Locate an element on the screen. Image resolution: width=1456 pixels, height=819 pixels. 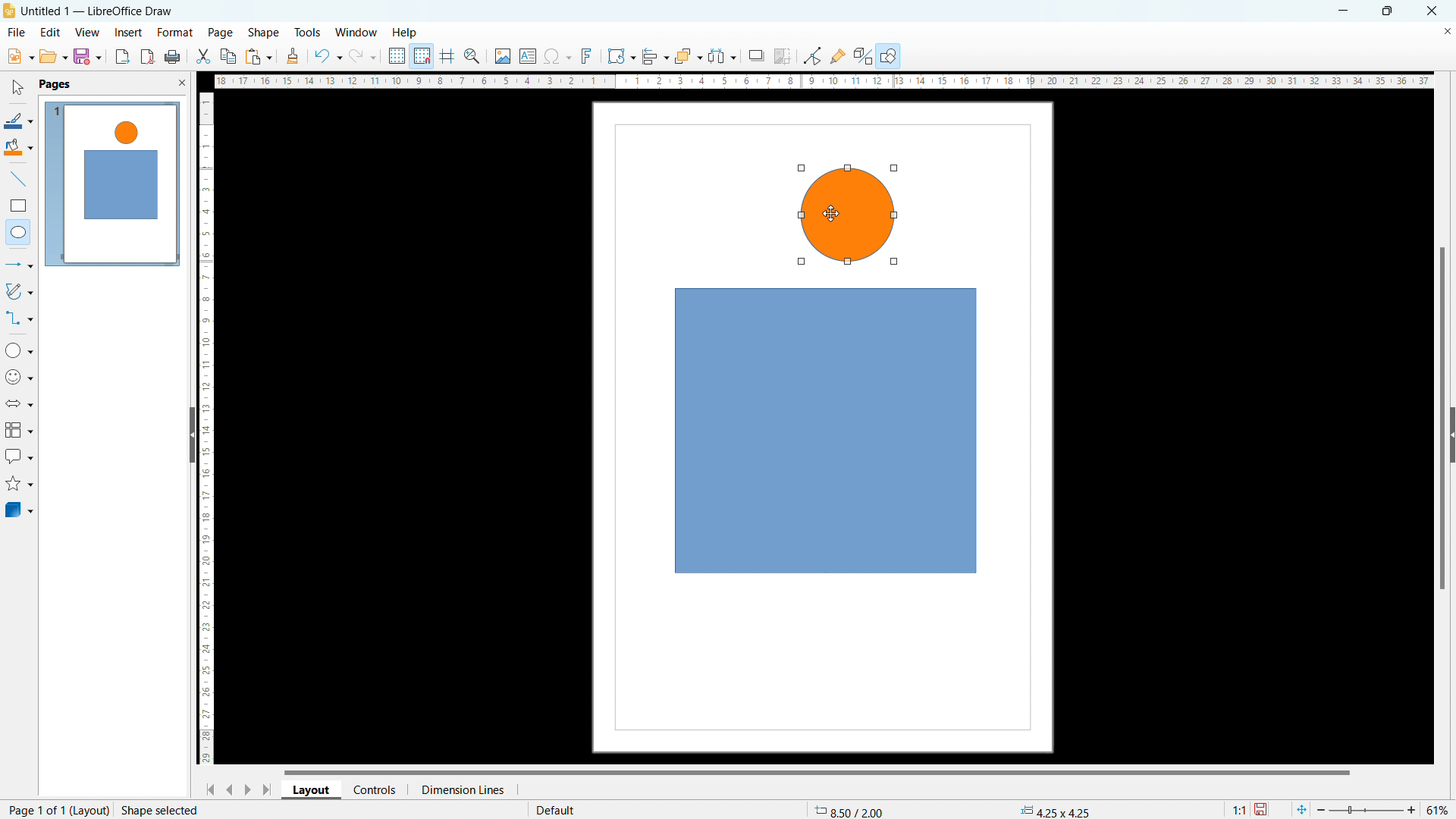
vertical scrollbar is located at coordinates (1443, 420).